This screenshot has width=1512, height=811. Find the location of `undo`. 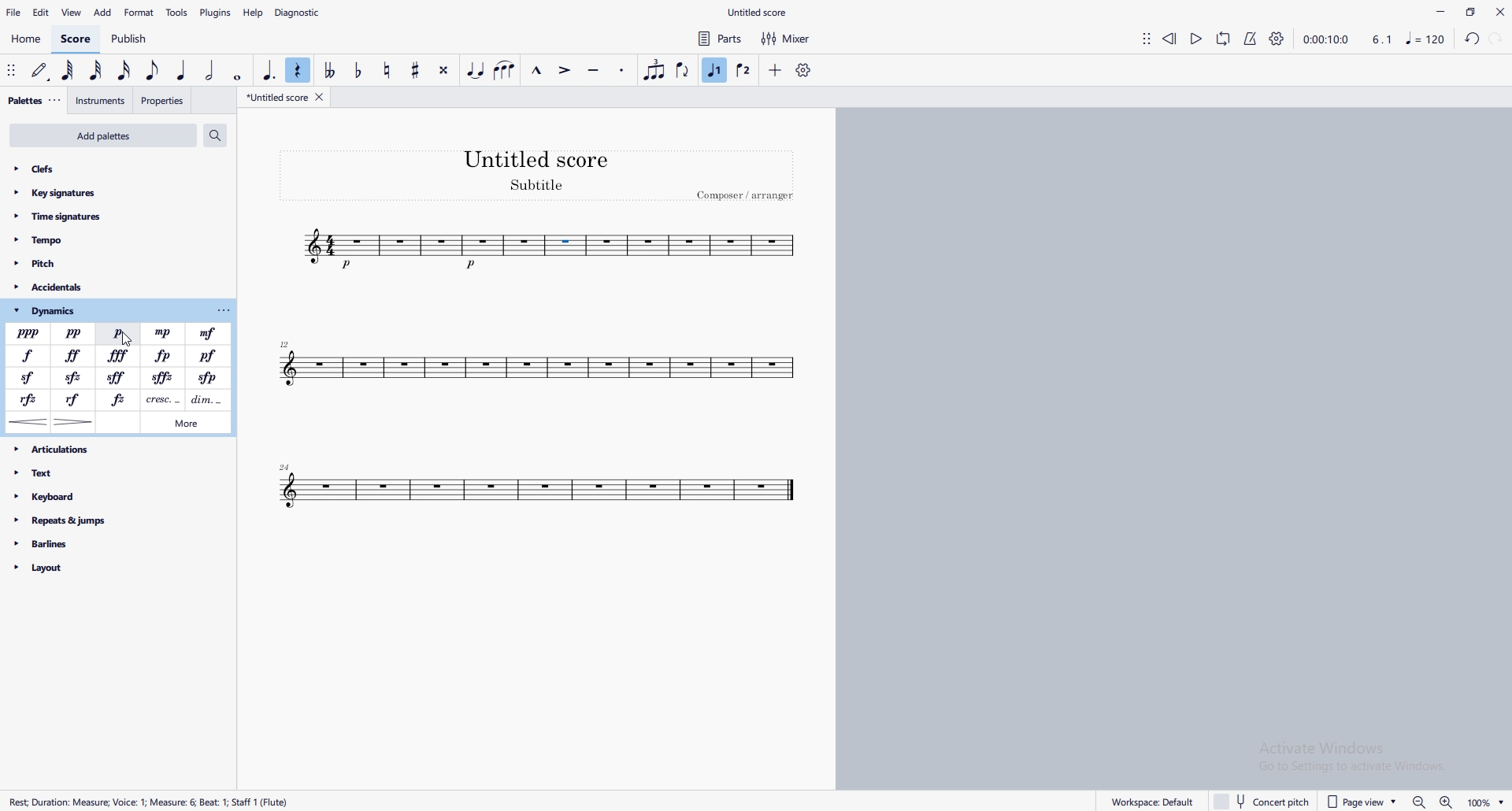

undo is located at coordinates (1473, 37).